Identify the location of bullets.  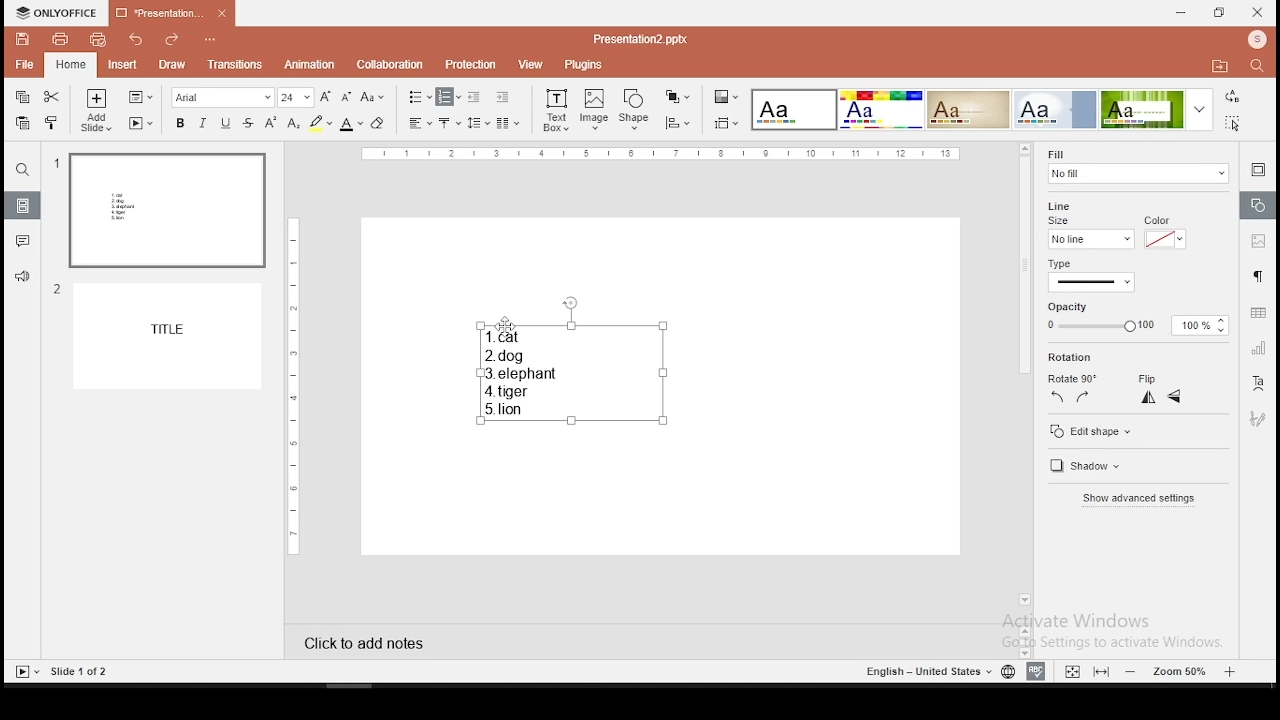
(420, 98).